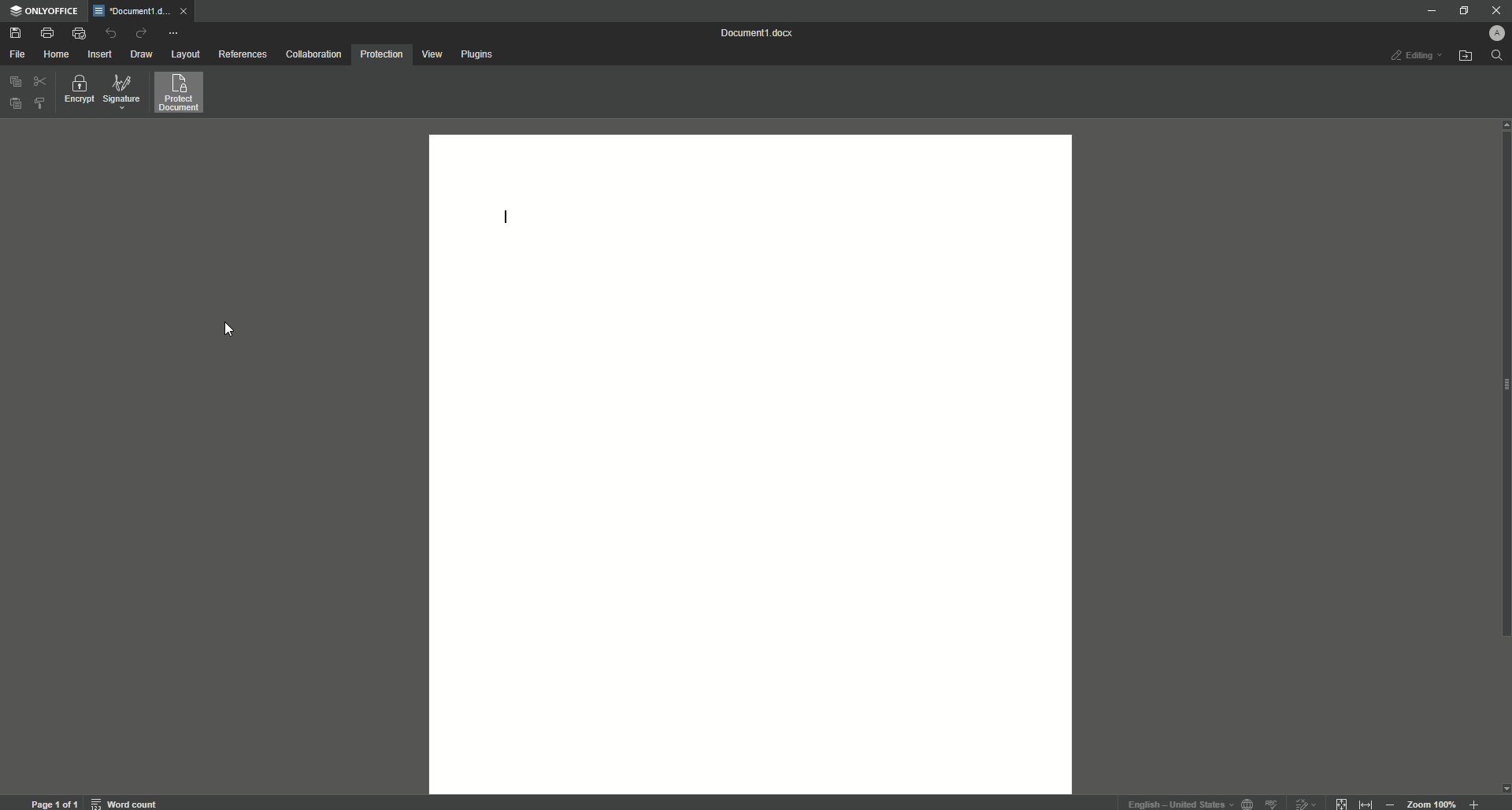 The image size is (1512, 810). What do you see at coordinates (184, 96) in the screenshot?
I see `Protect Document` at bounding box center [184, 96].